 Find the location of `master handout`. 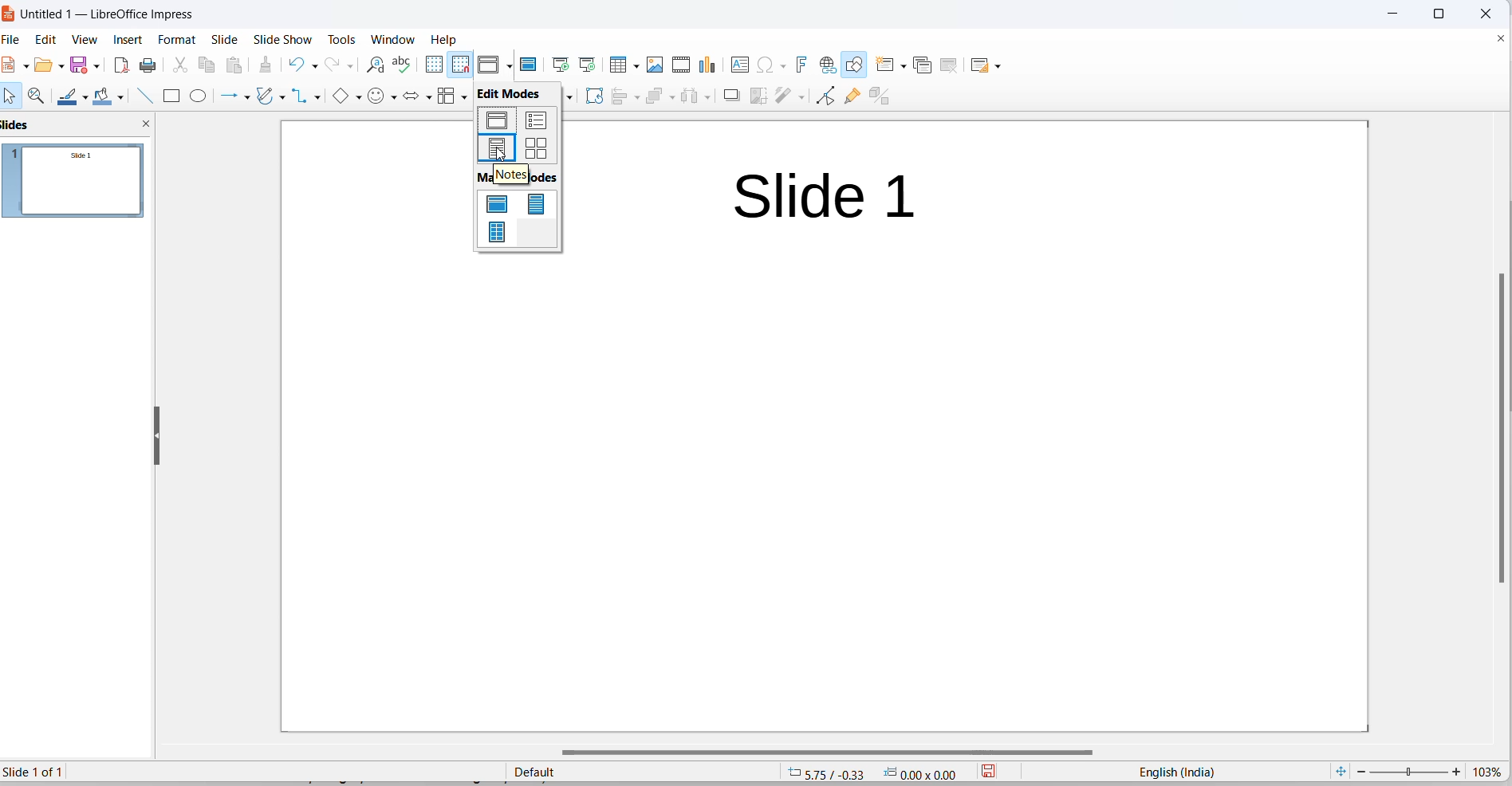

master handout is located at coordinates (496, 232).